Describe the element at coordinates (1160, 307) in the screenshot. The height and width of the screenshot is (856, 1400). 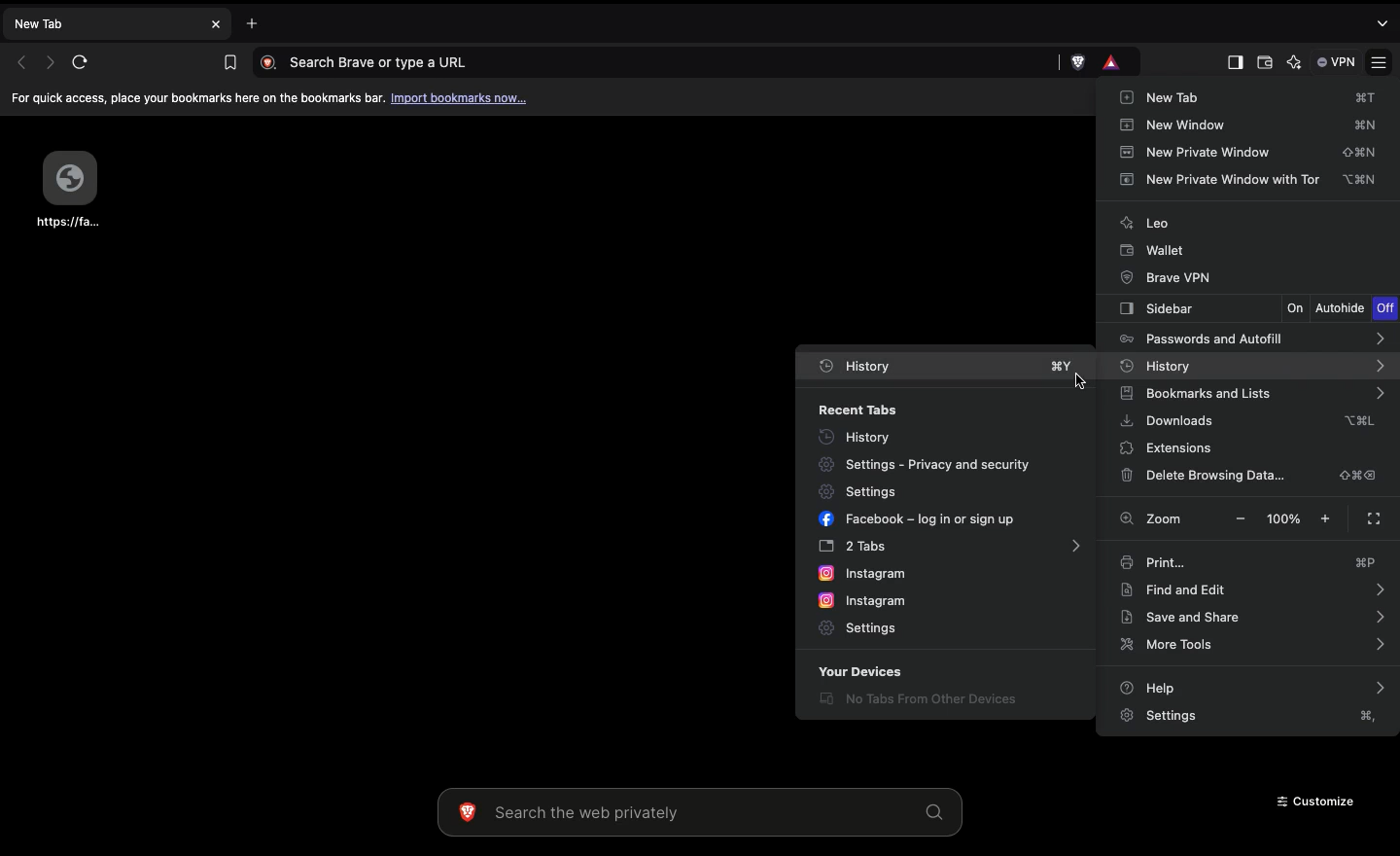
I see `Sidebar` at that location.